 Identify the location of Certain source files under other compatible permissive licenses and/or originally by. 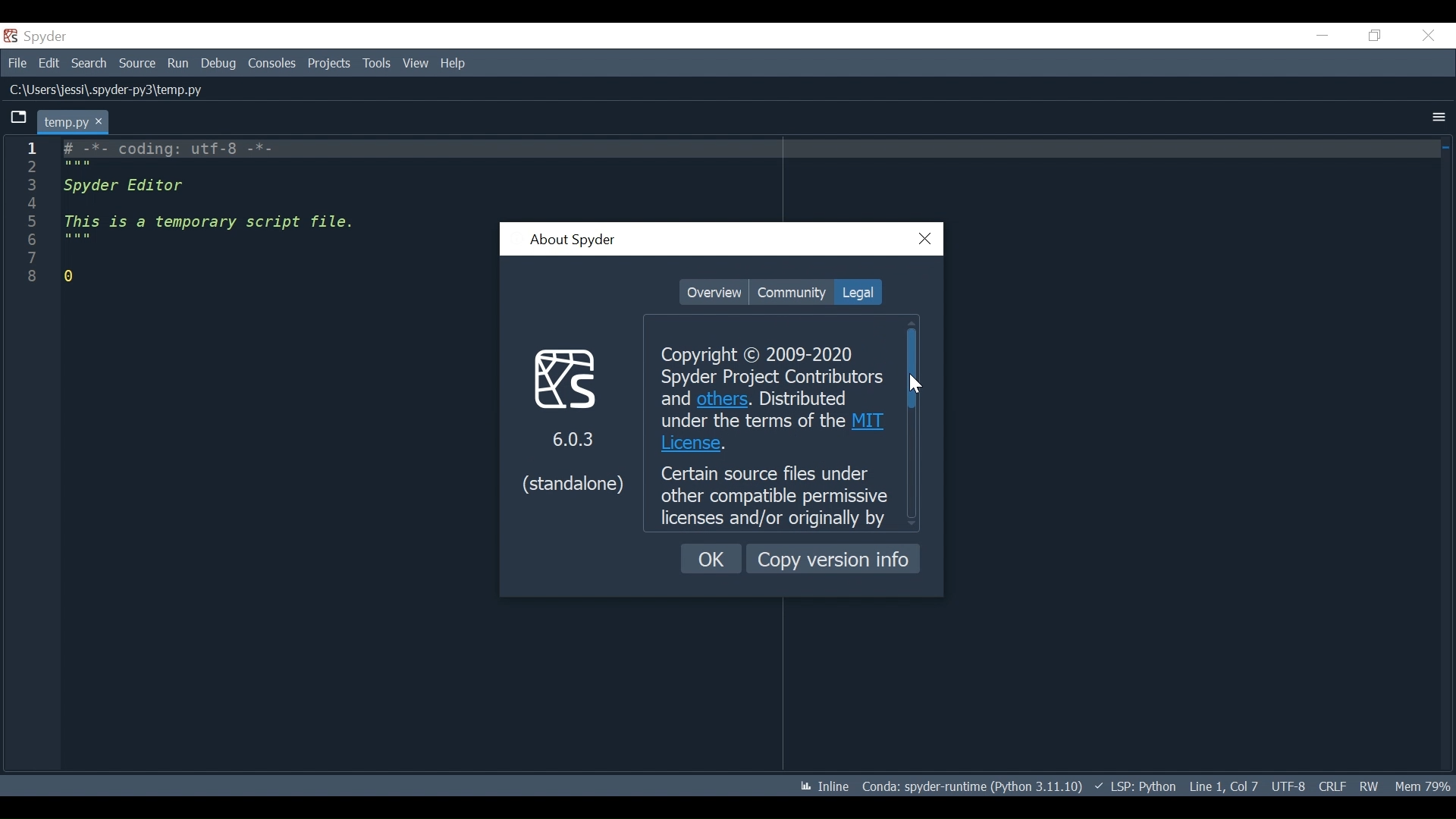
(775, 496).